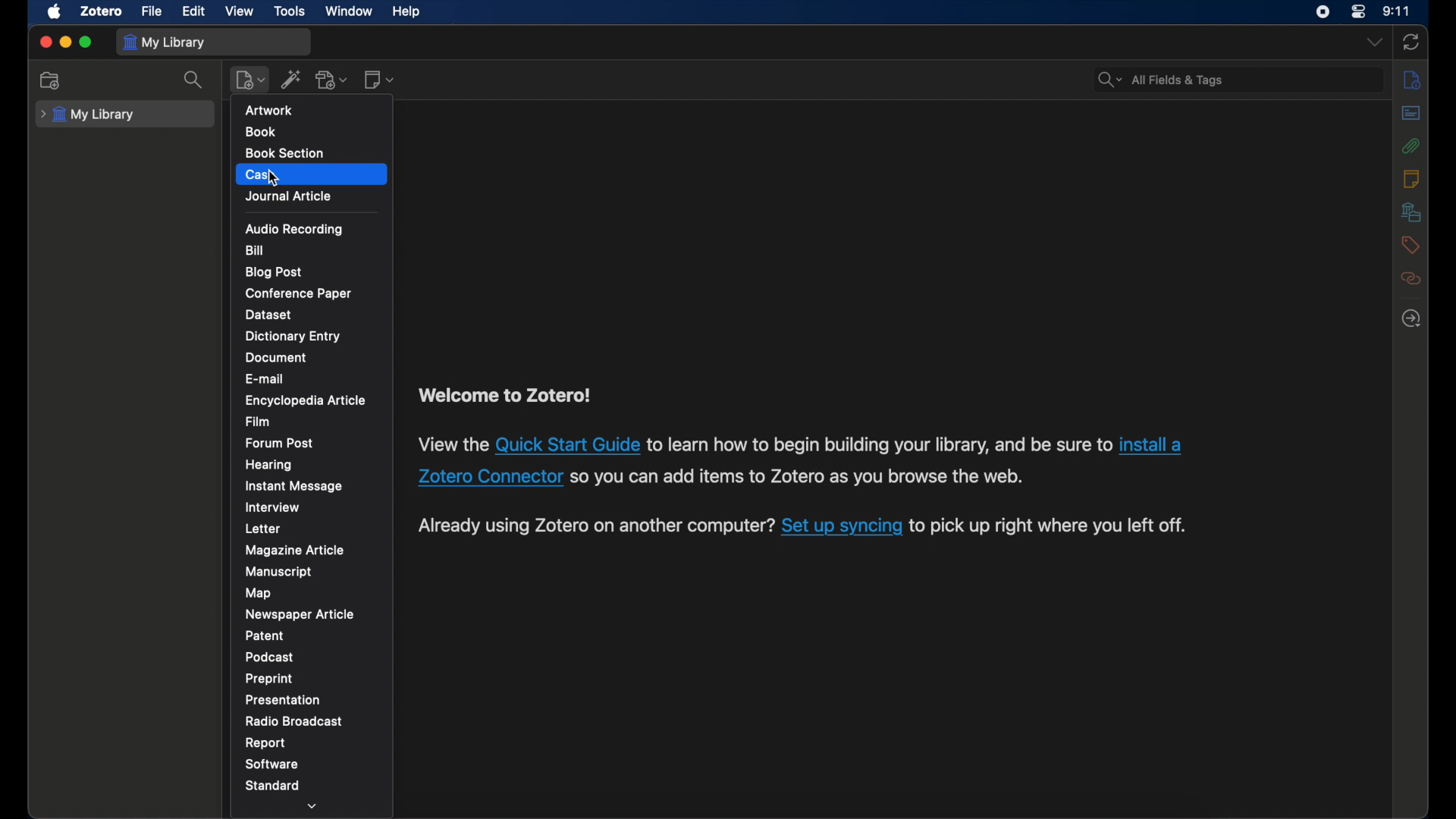 This screenshot has height=819, width=1456. Describe the element at coordinates (274, 506) in the screenshot. I see `interview` at that location.